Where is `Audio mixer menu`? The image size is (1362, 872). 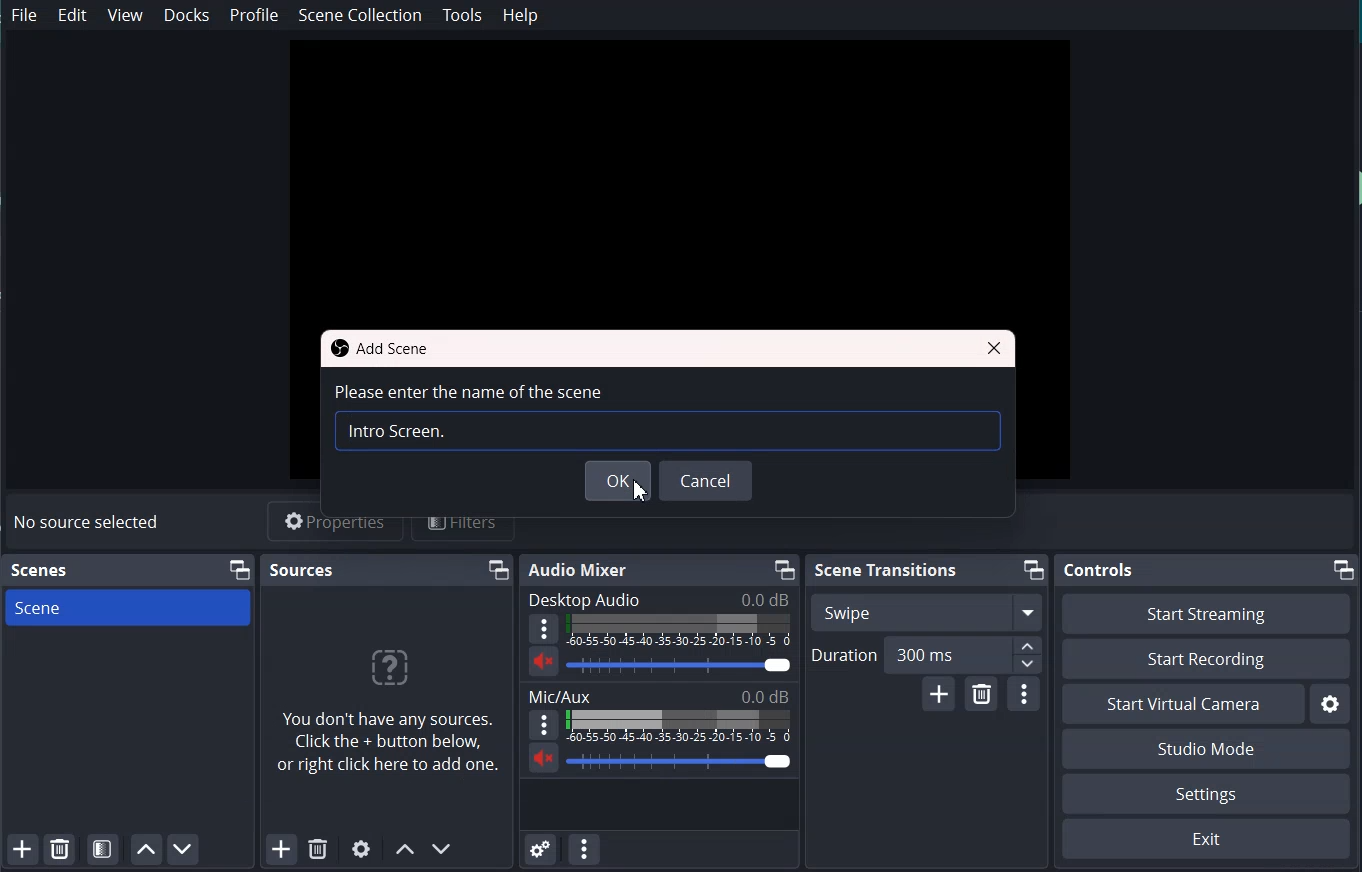
Audio mixer menu is located at coordinates (584, 848).